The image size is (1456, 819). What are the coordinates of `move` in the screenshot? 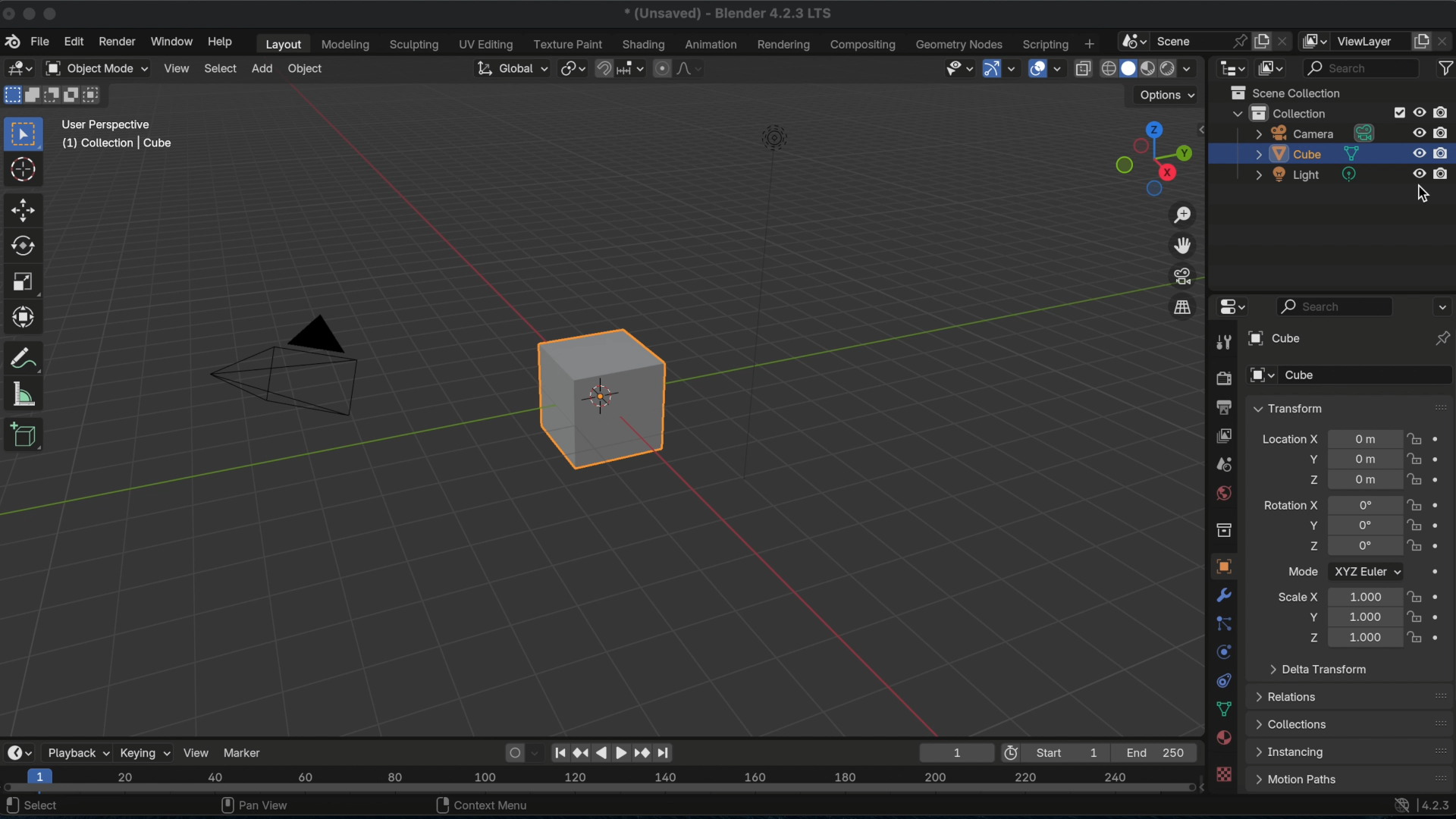 It's located at (25, 209).